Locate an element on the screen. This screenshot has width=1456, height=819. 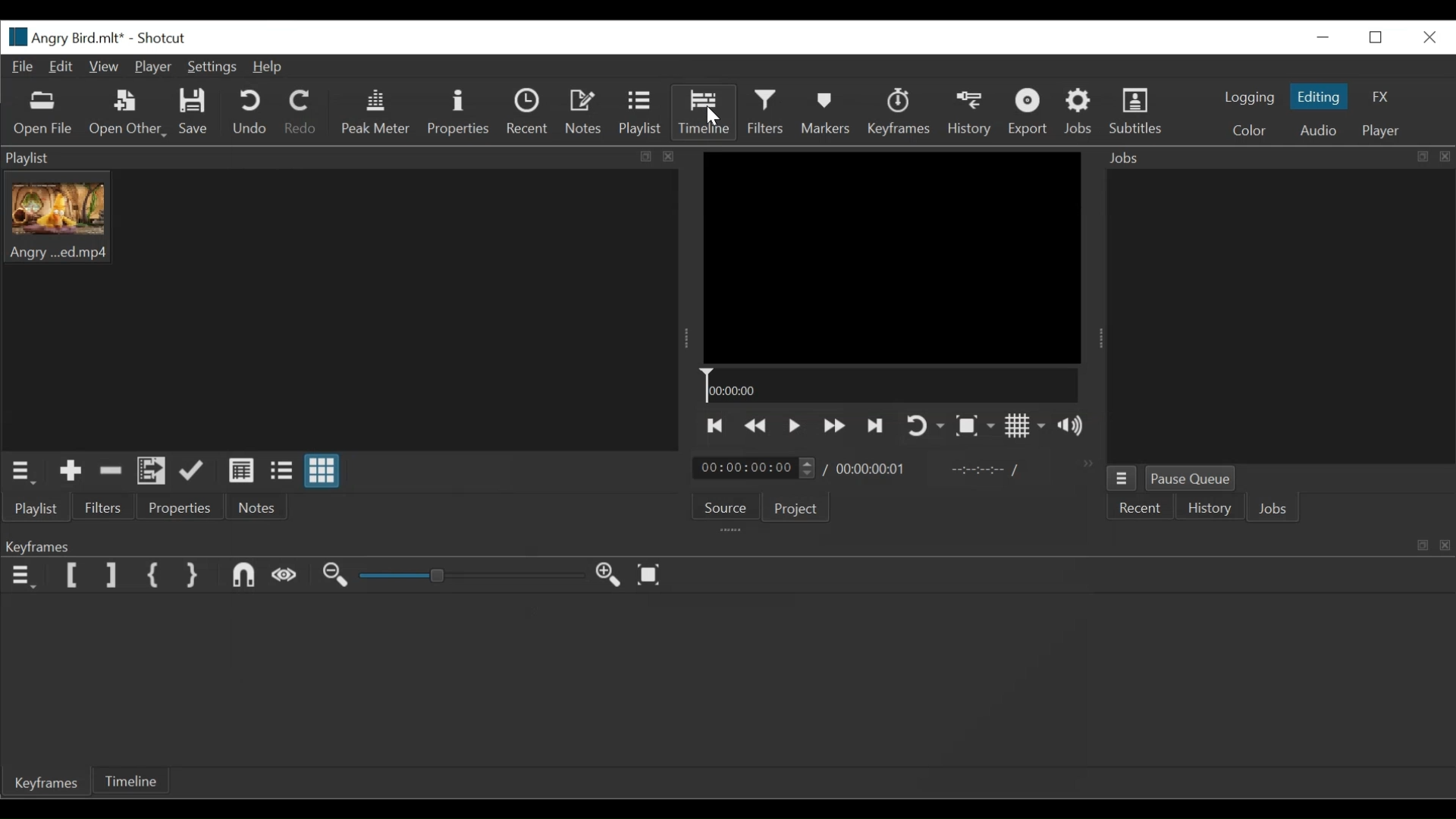
File is located at coordinates (21, 66).